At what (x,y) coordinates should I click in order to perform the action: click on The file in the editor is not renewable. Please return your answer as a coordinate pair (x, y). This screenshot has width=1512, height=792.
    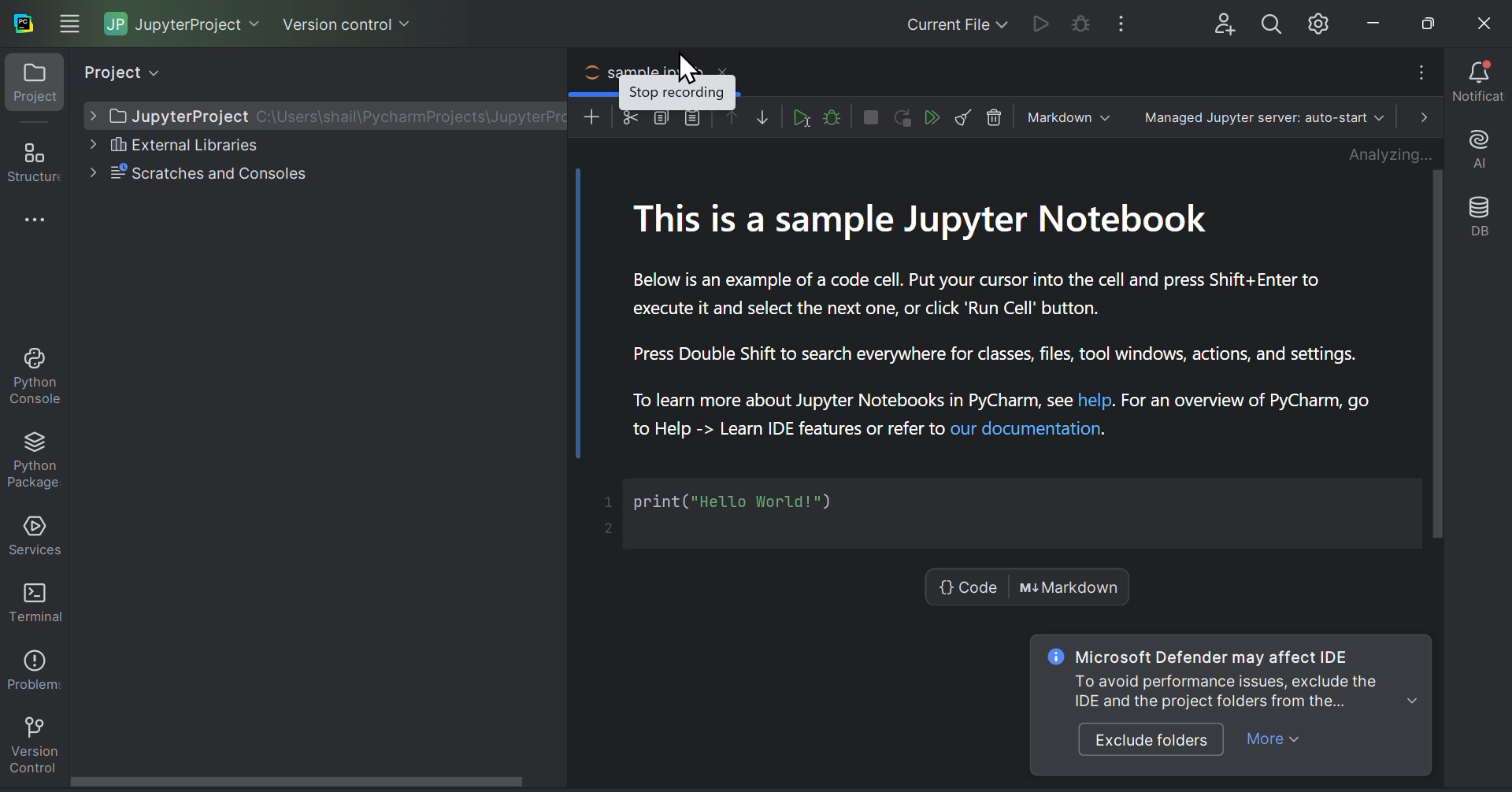
    Looking at the image, I should click on (1078, 23).